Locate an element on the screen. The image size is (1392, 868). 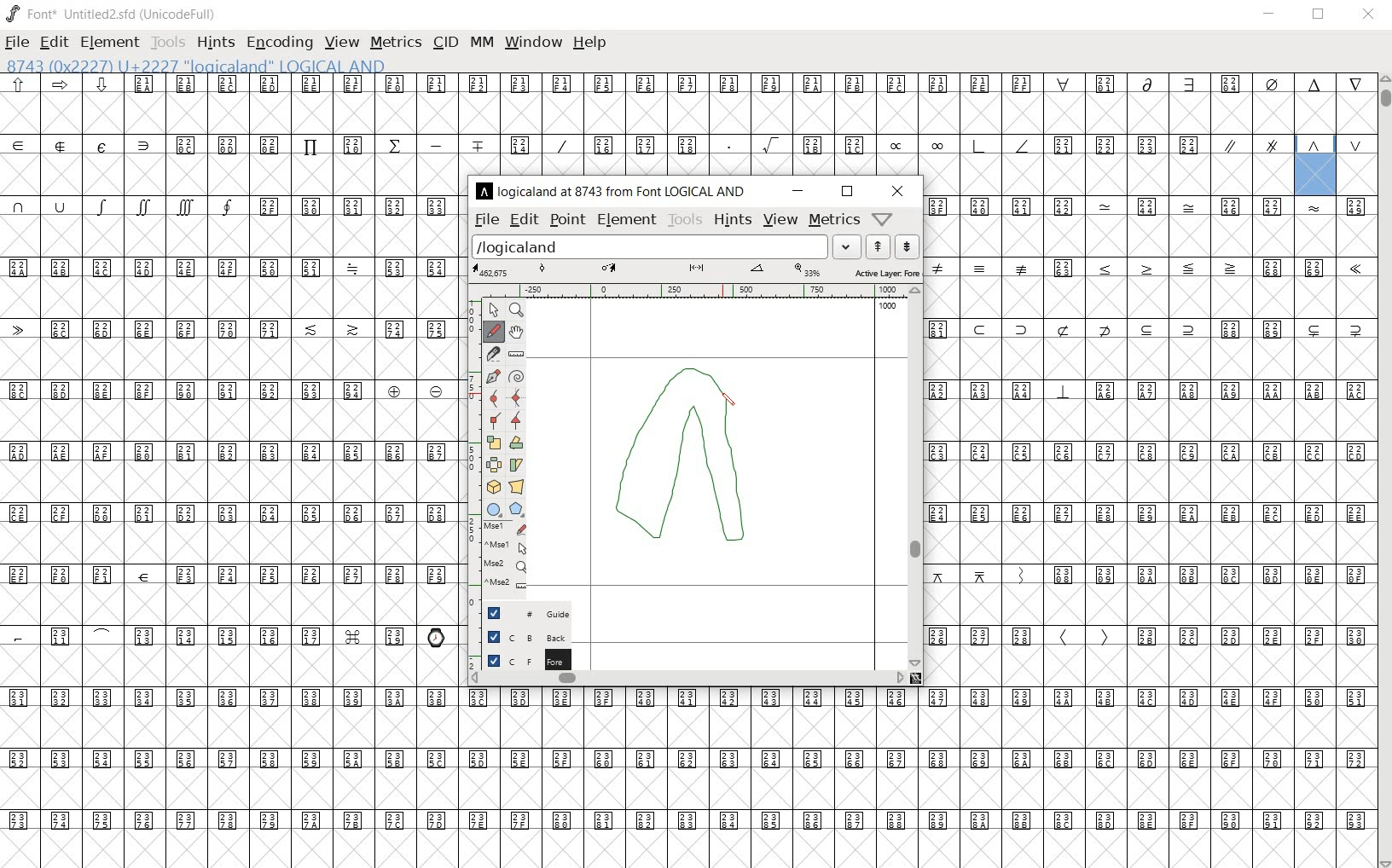
view is located at coordinates (341, 42).